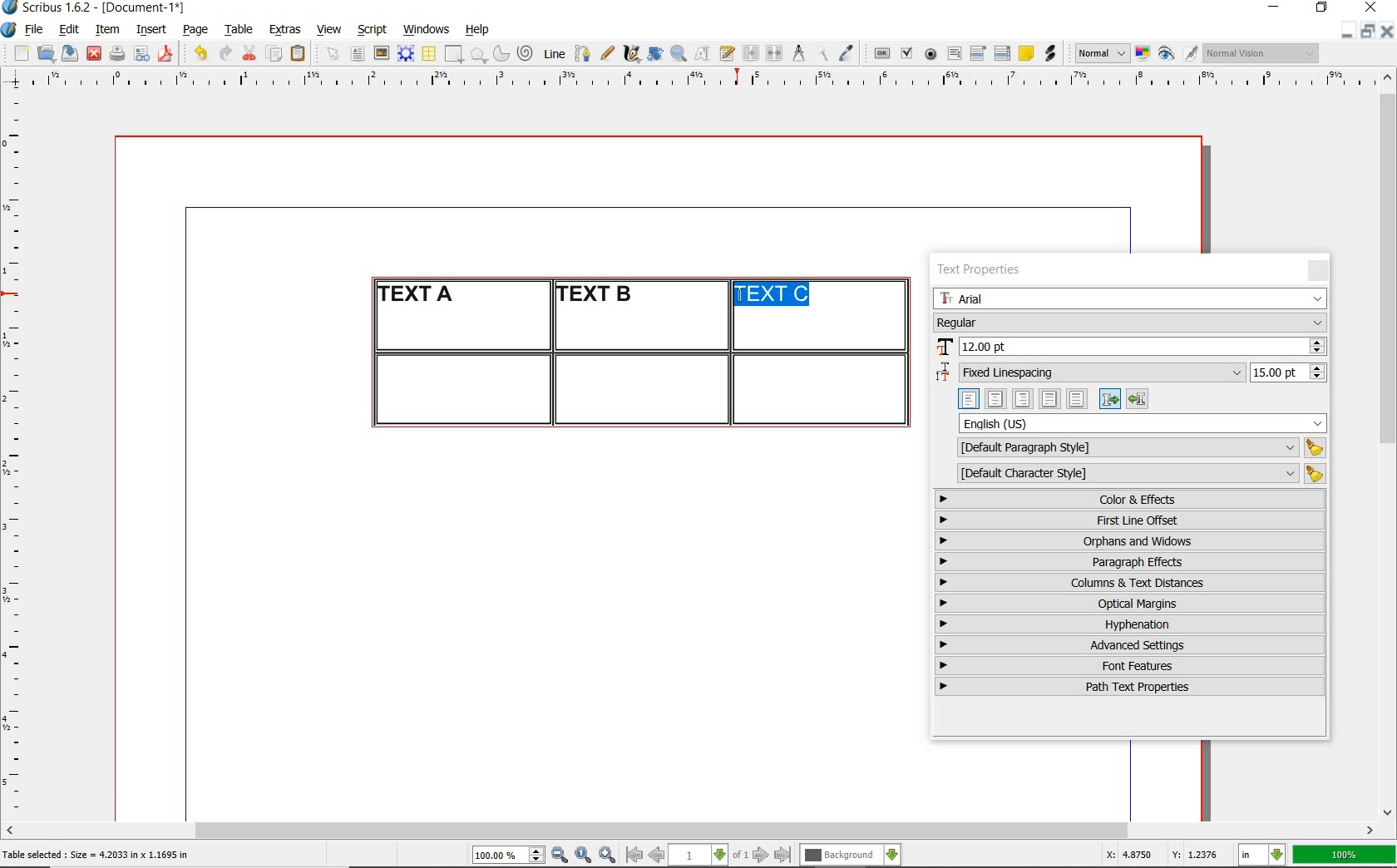 The width and height of the screenshot is (1397, 868). I want to click on close, so click(94, 54).